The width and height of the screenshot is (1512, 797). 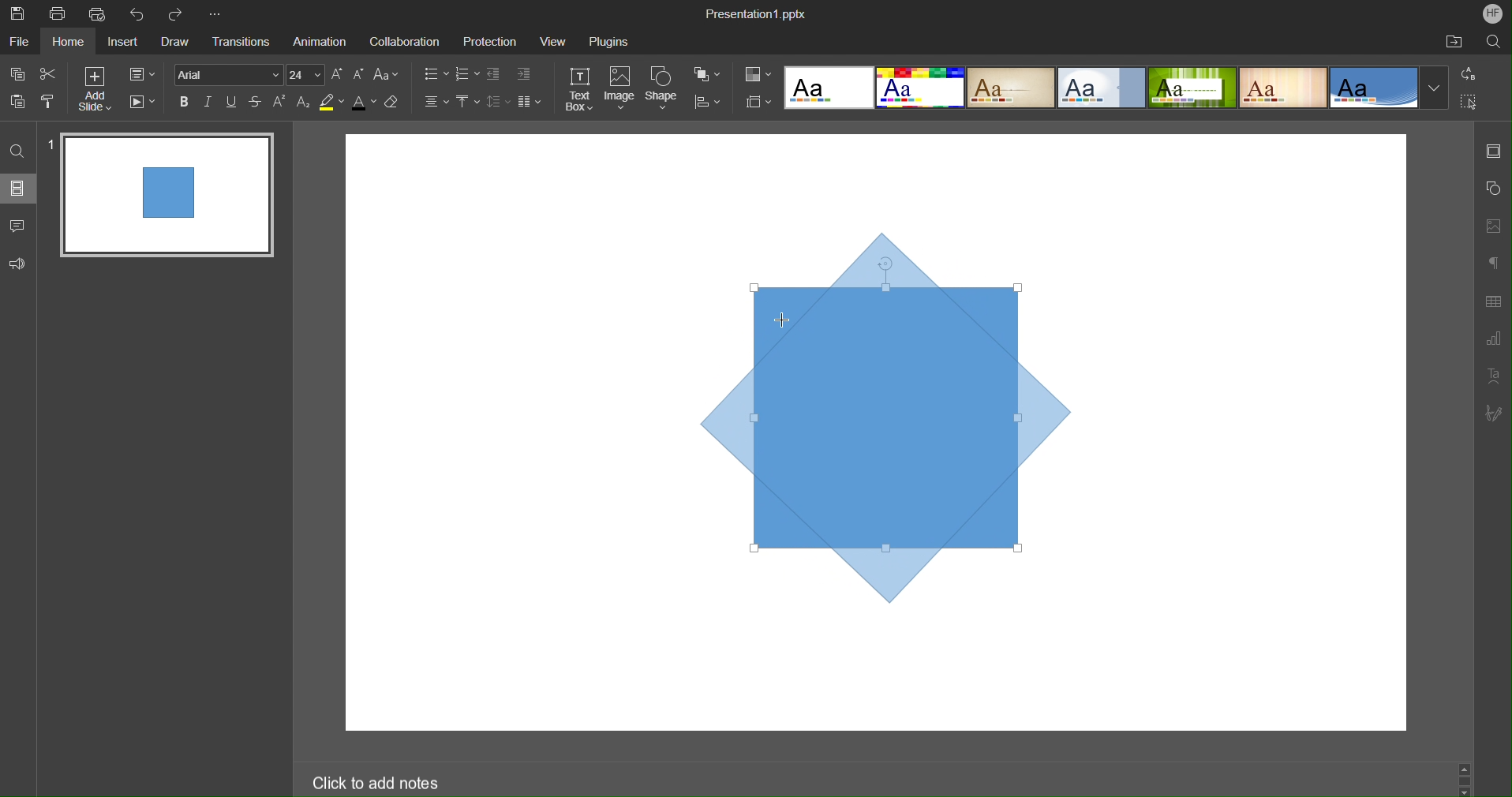 I want to click on Image, so click(x=622, y=89).